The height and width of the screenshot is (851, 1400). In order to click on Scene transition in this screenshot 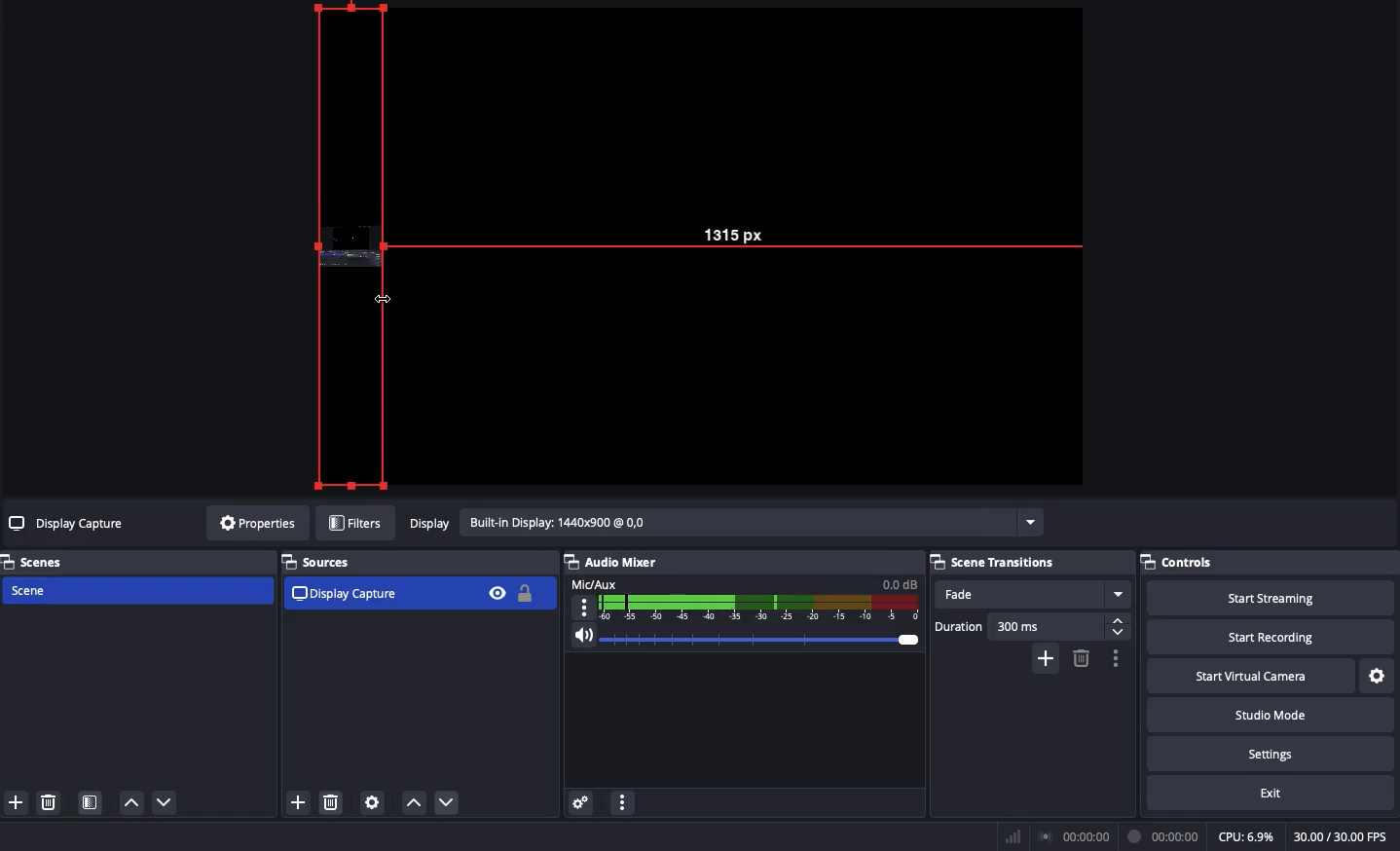, I will do `click(996, 562)`.